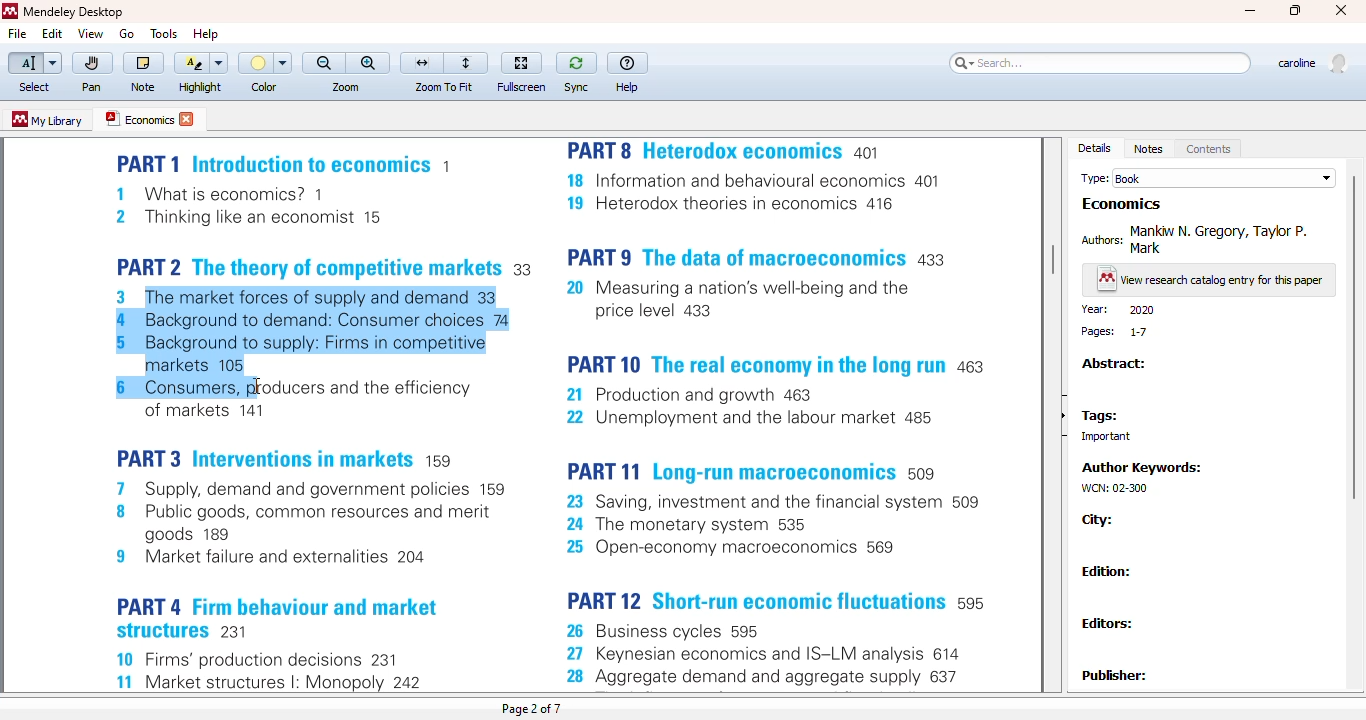  I want to click on contents, so click(1209, 149).